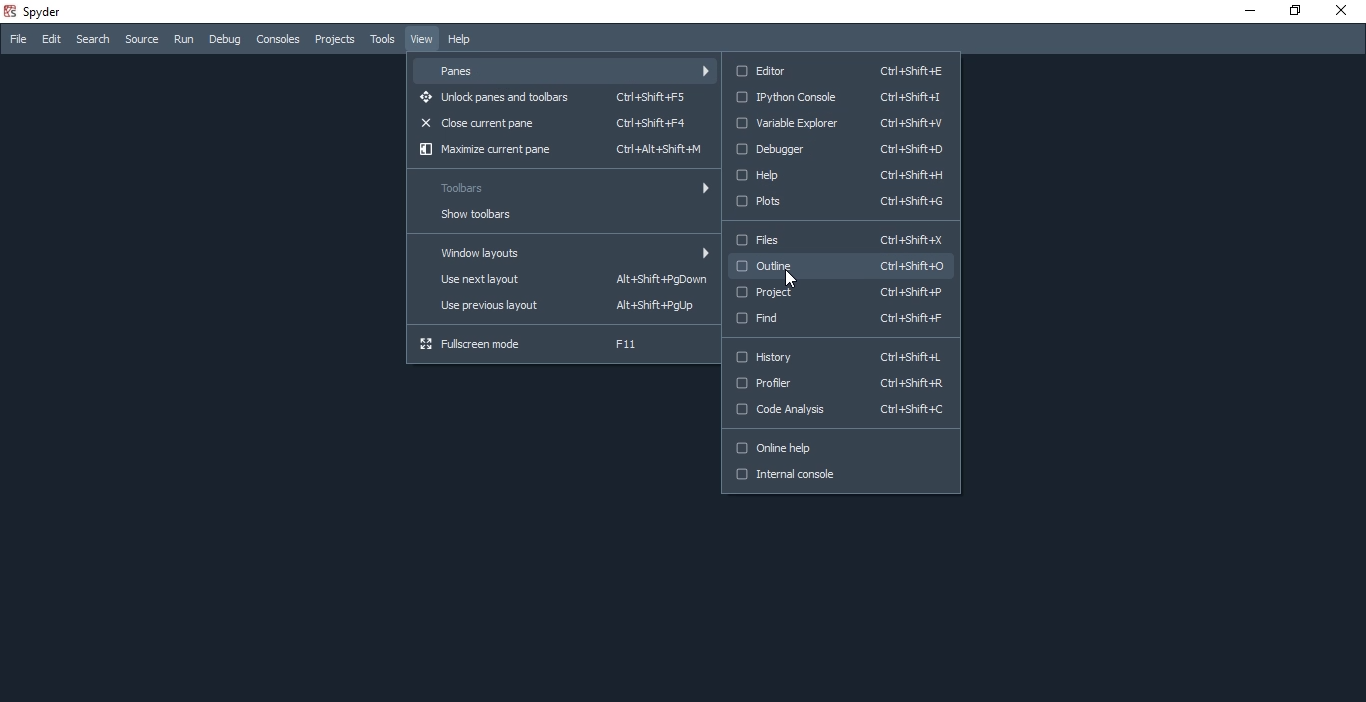 The width and height of the screenshot is (1366, 702). I want to click on Search, so click(92, 40).